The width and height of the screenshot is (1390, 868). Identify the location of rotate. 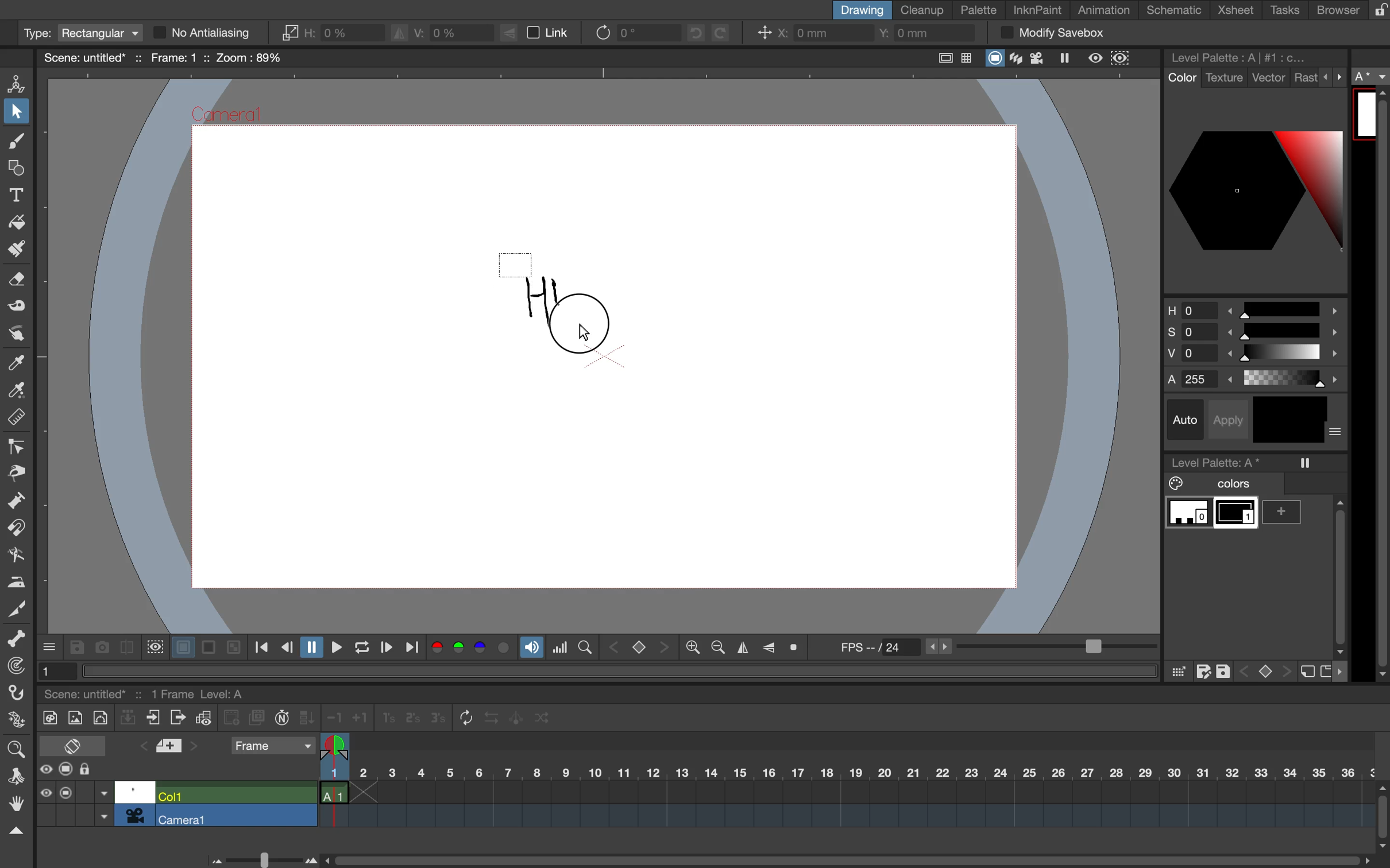
(628, 32).